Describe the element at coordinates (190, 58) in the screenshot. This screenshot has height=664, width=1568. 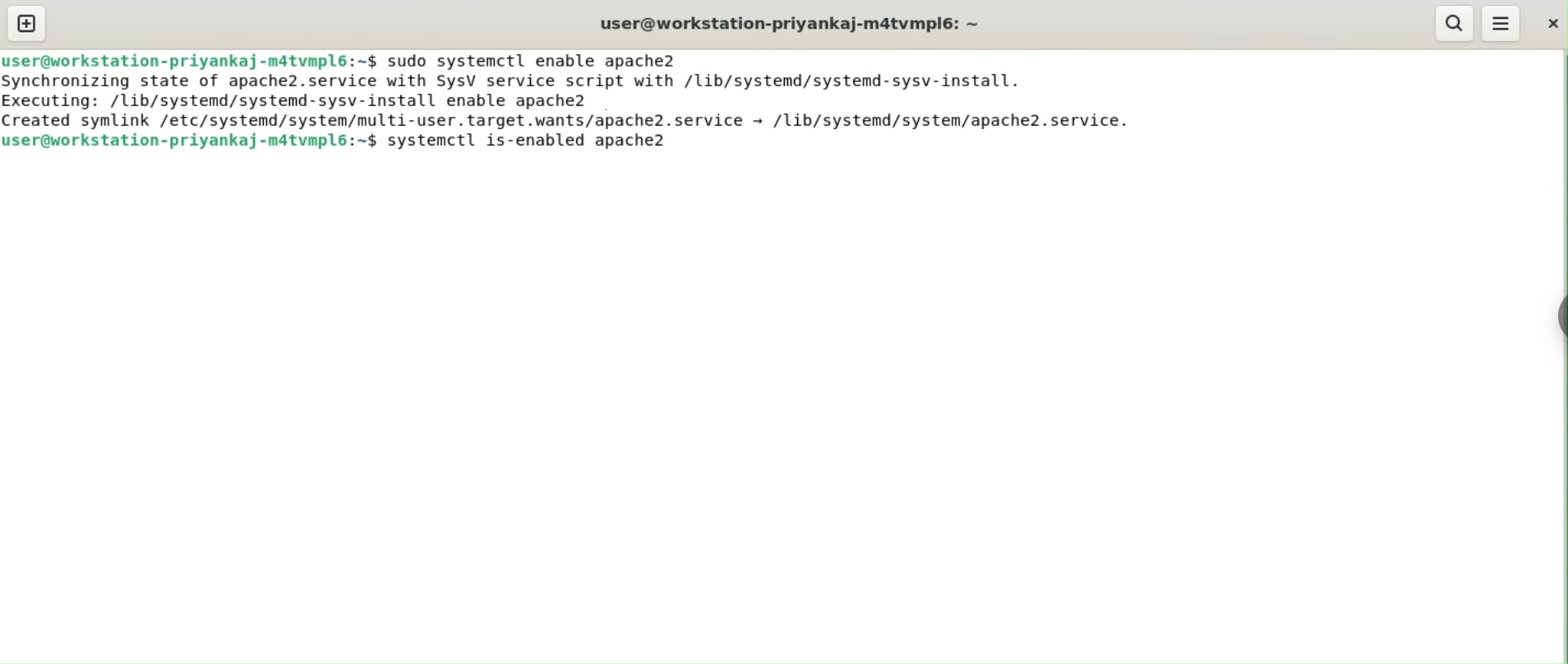
I see `user@workstation-priyankaj-m4tvmpl6:~$` at that location.